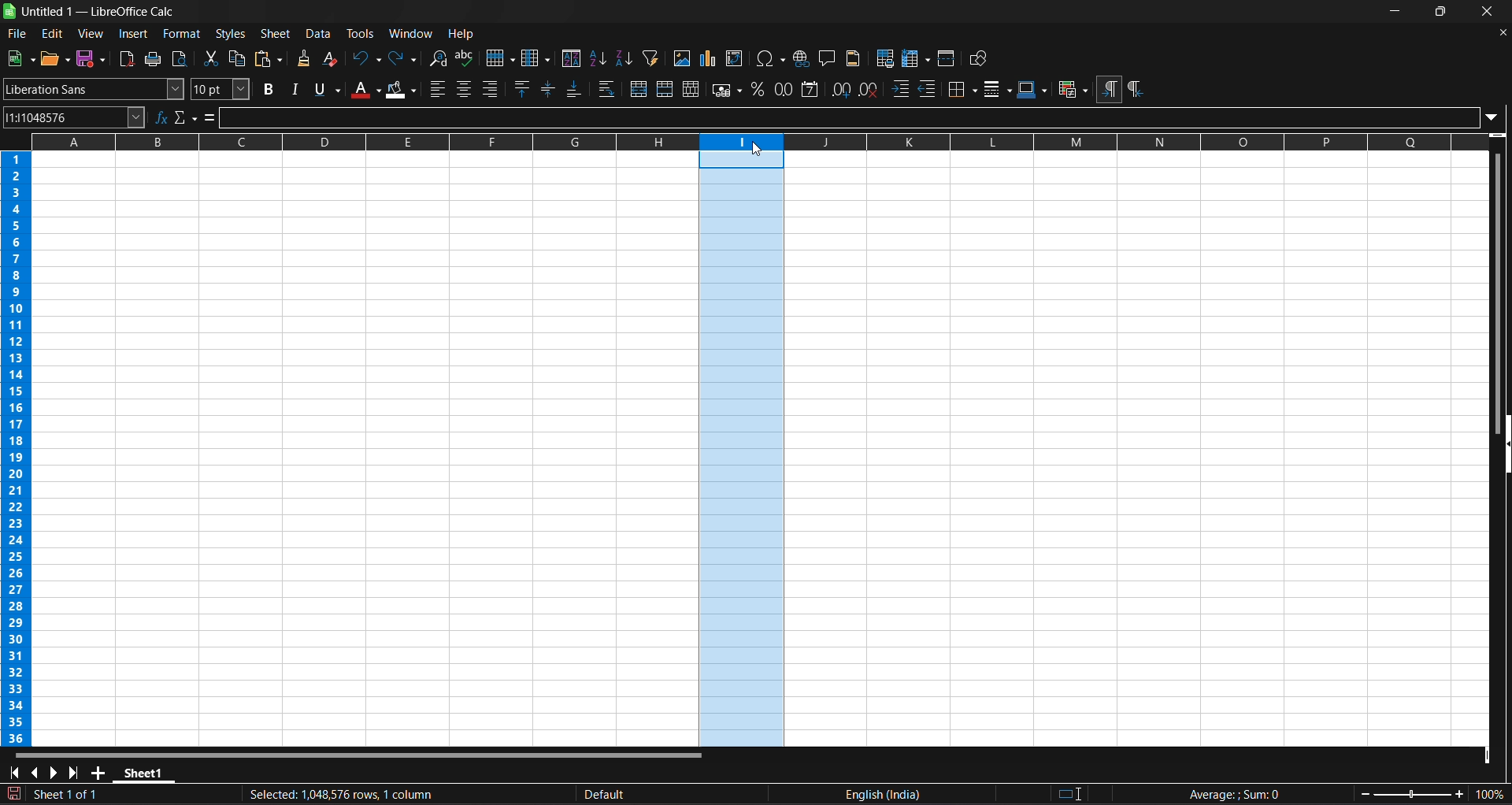 This screenshot has width=1512, height=805. What do you see at coordinates (154, 59) in the screenshot?
I see `print` at bounding box center [154, 59].